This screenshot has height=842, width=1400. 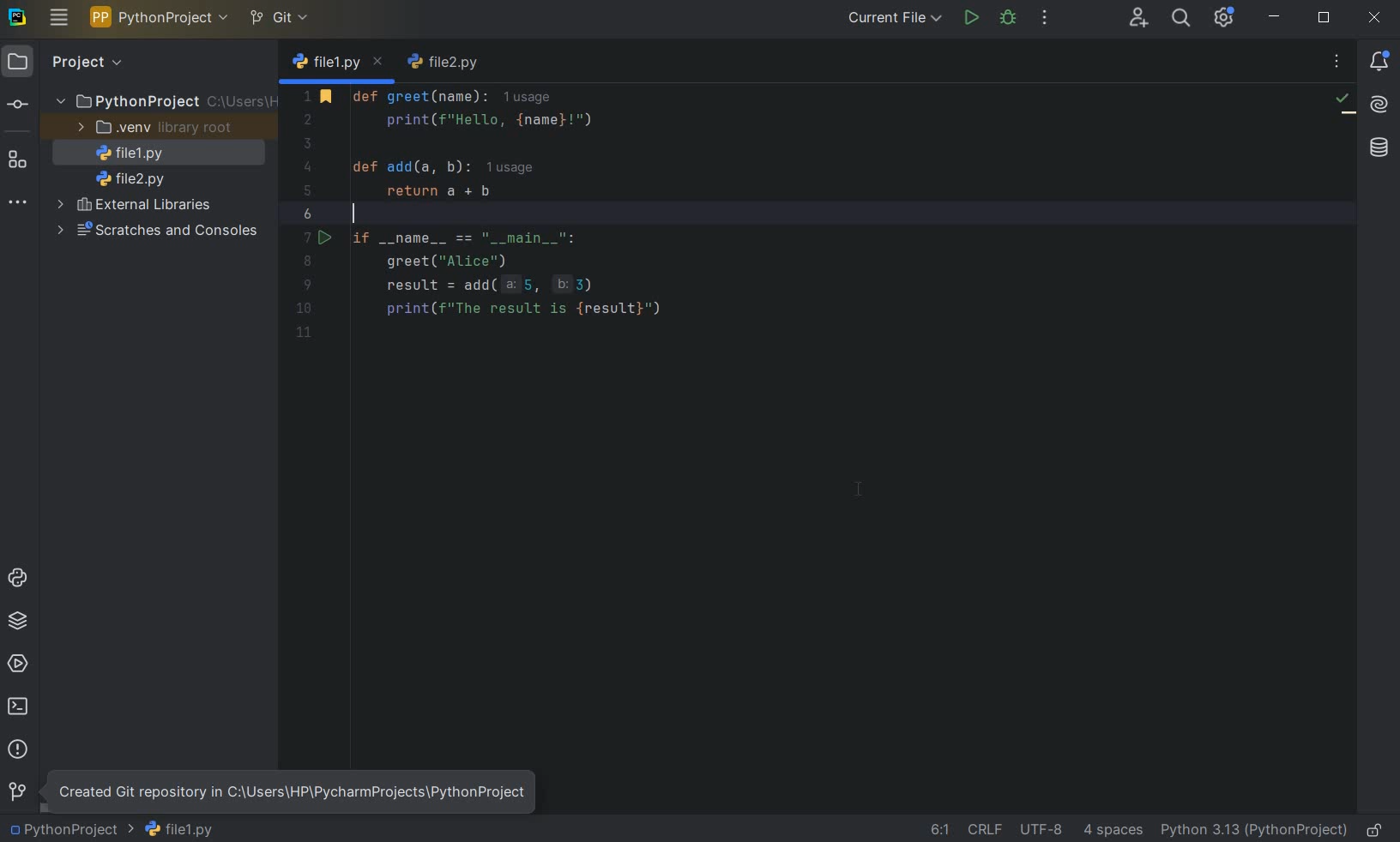 What do you see at coordinates (18, 105) in the screenshot?
I see `version control` at bounding box center [18, 105].